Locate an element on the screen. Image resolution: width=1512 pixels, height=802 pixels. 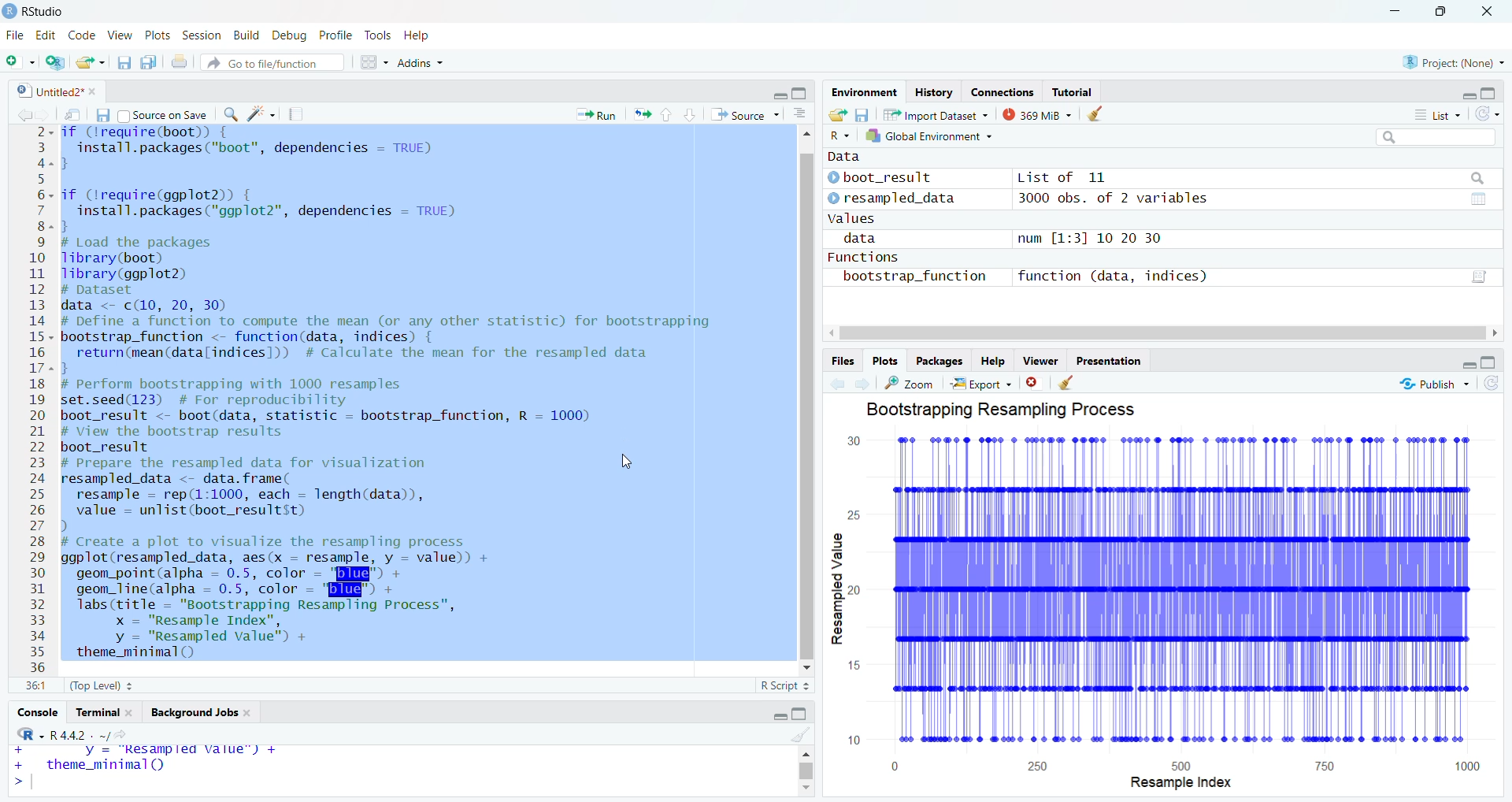
vertical scroll bar is located at coordinates (806, 773).